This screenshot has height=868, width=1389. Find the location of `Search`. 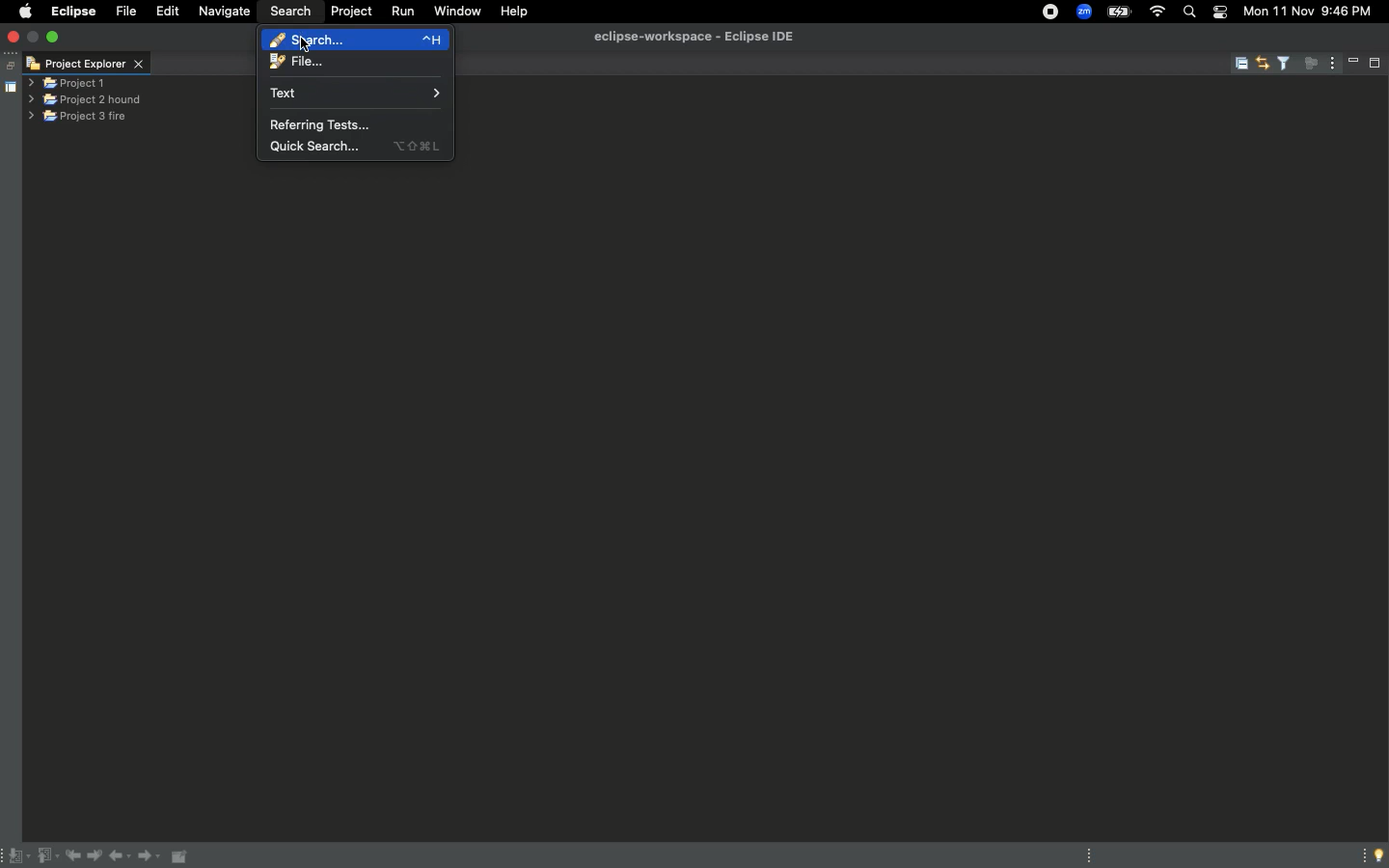

Search is located at coordinates (353, 41).